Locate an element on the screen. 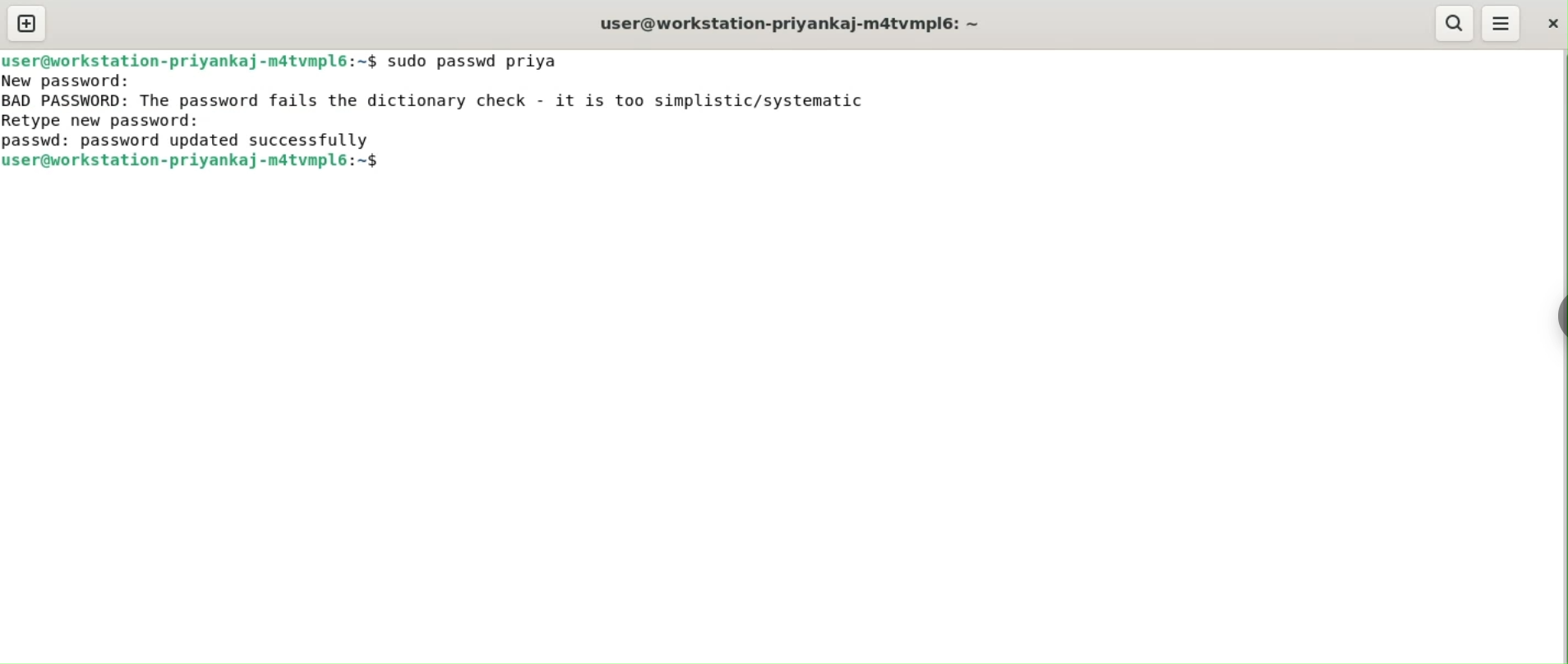  BAD PASSWORD: The password fails the dictionary check - it is too simplistic/systematic is located at coordinates (450, 100).